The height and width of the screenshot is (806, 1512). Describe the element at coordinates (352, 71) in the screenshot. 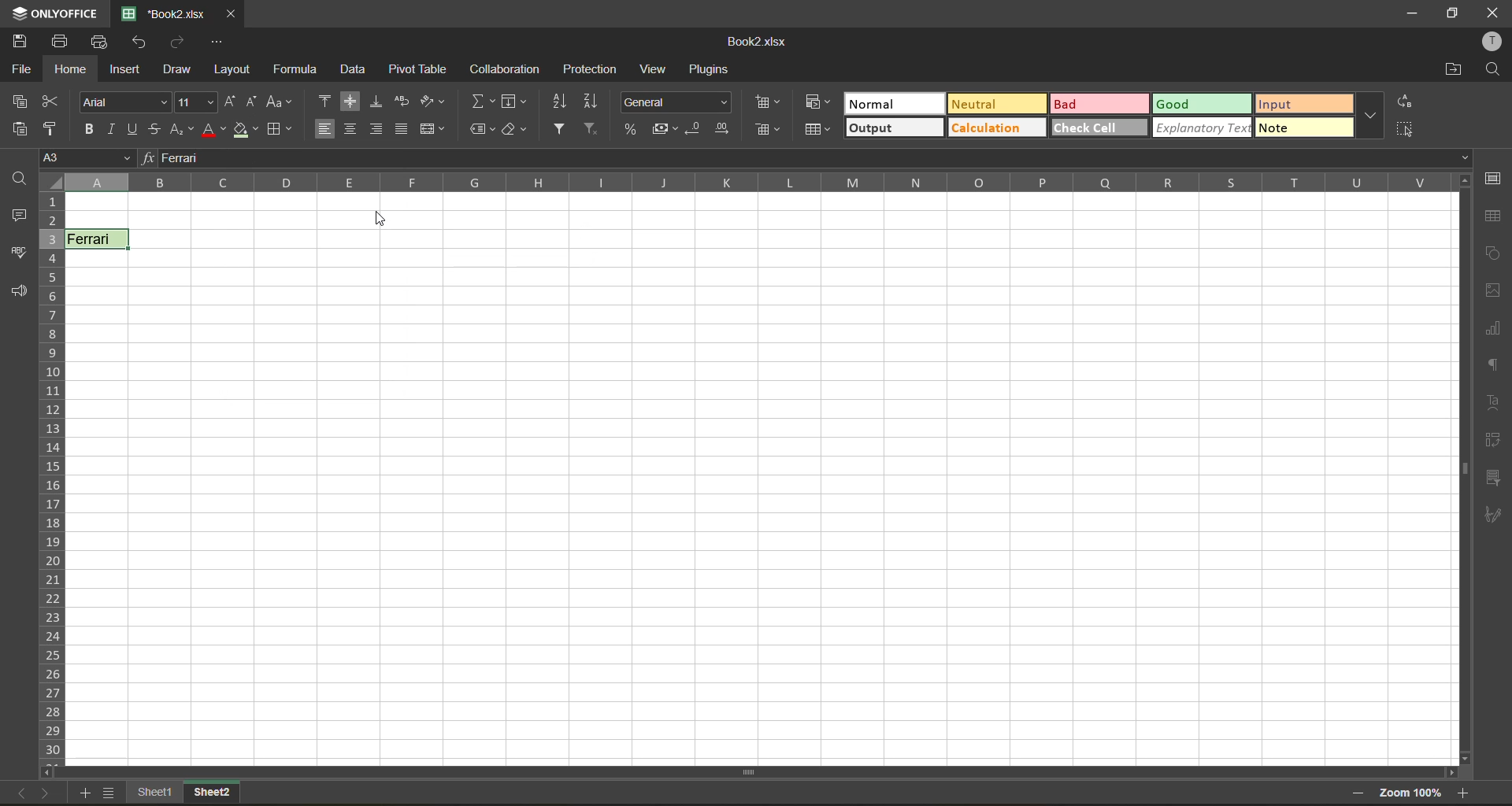

I see `data` at that location.